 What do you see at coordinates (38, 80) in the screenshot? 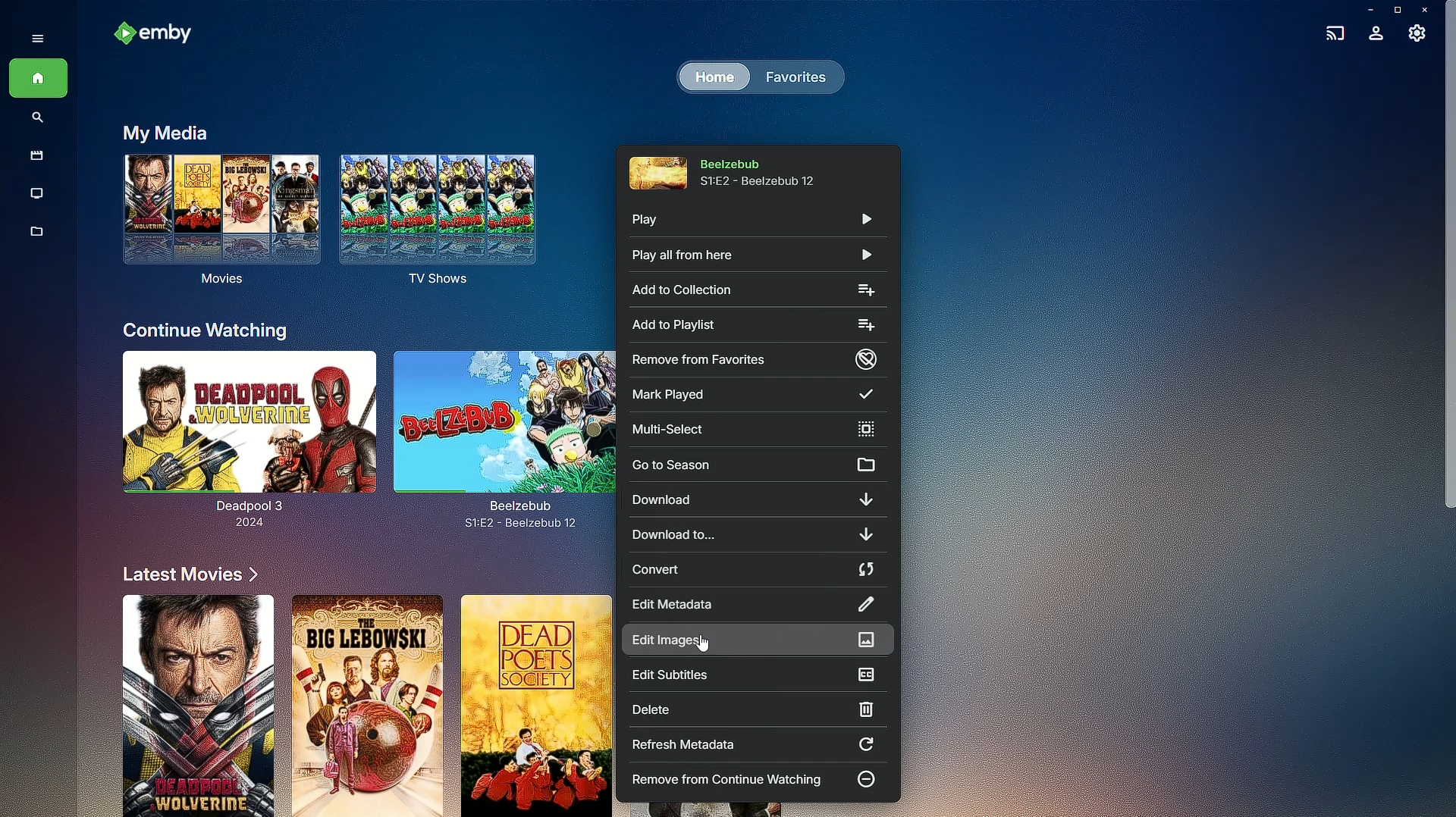
I see `Home` at bounding box center [38, 80].